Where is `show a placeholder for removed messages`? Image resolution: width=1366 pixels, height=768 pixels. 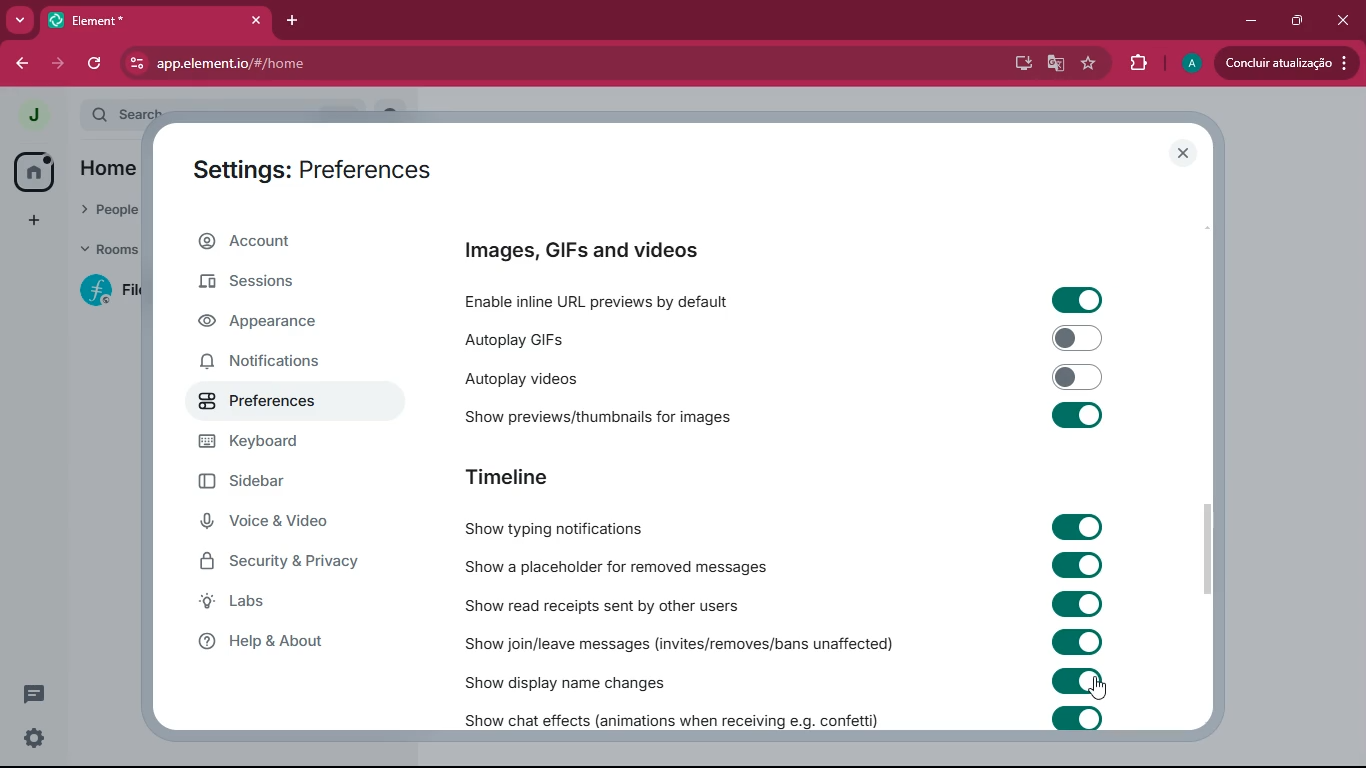 show a placeholder for removed messages is located at coordinates (628, 566).